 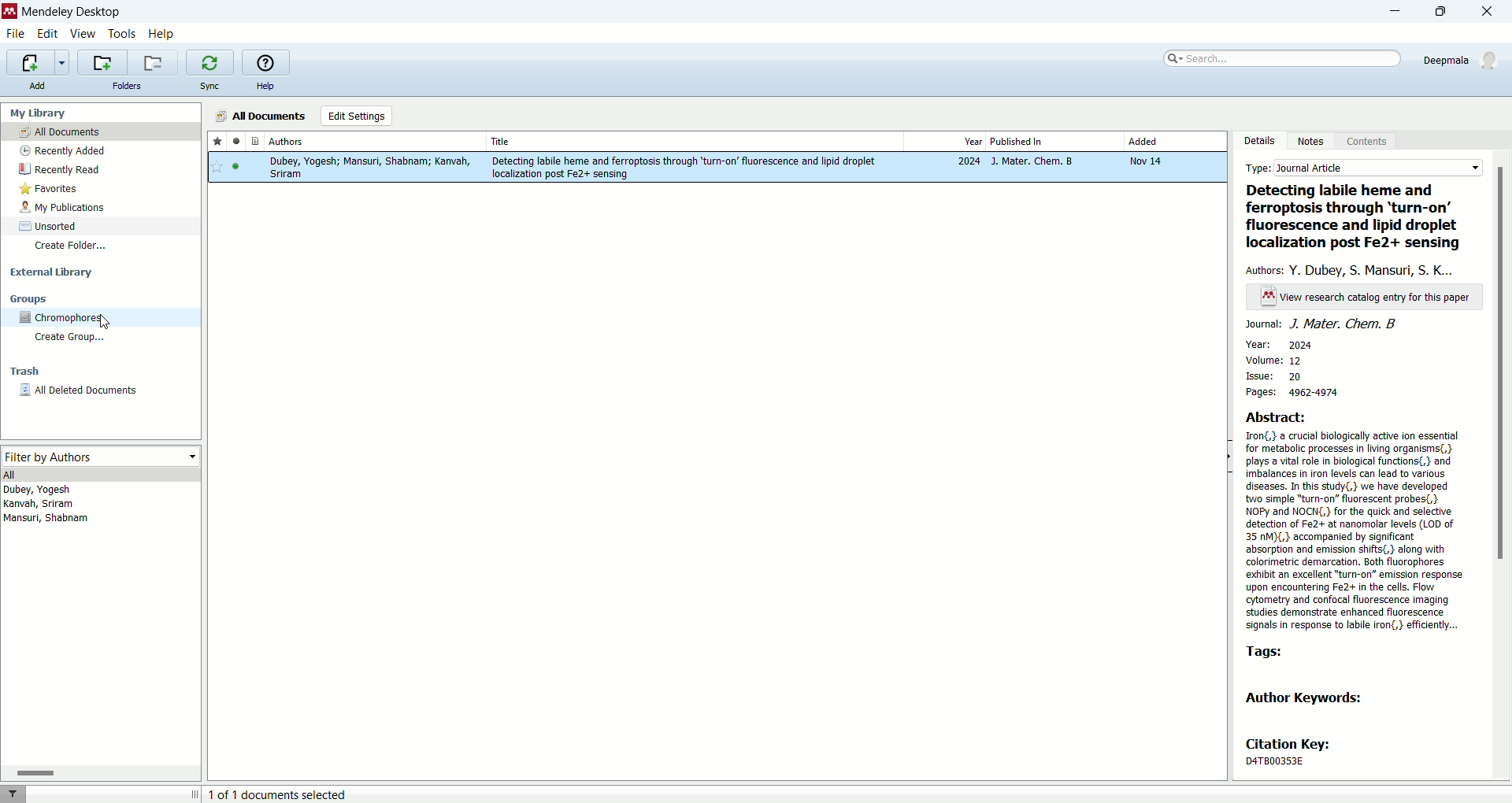 I want to click on all documents, so click(x=101, y=132).